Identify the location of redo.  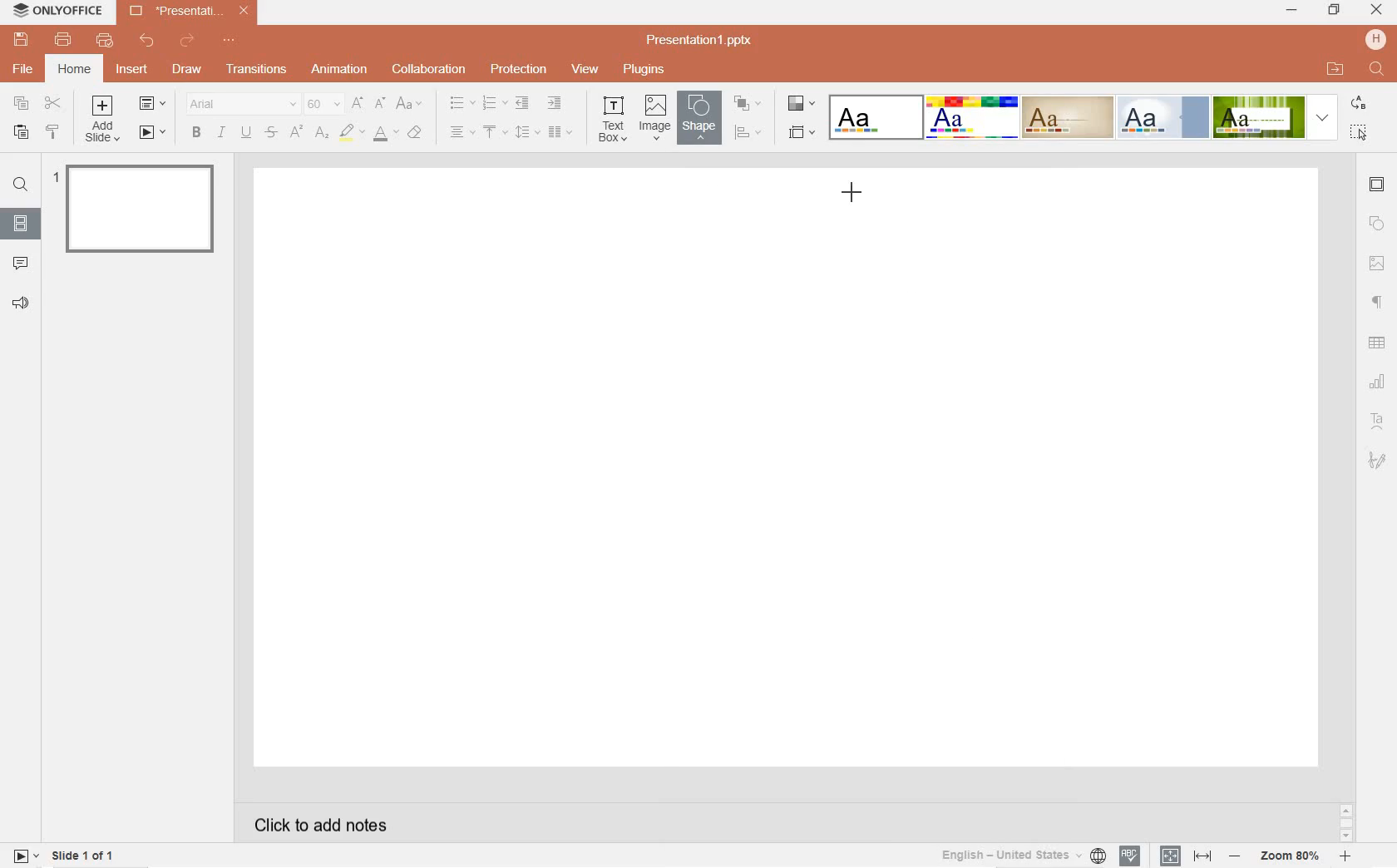
(188, 42).